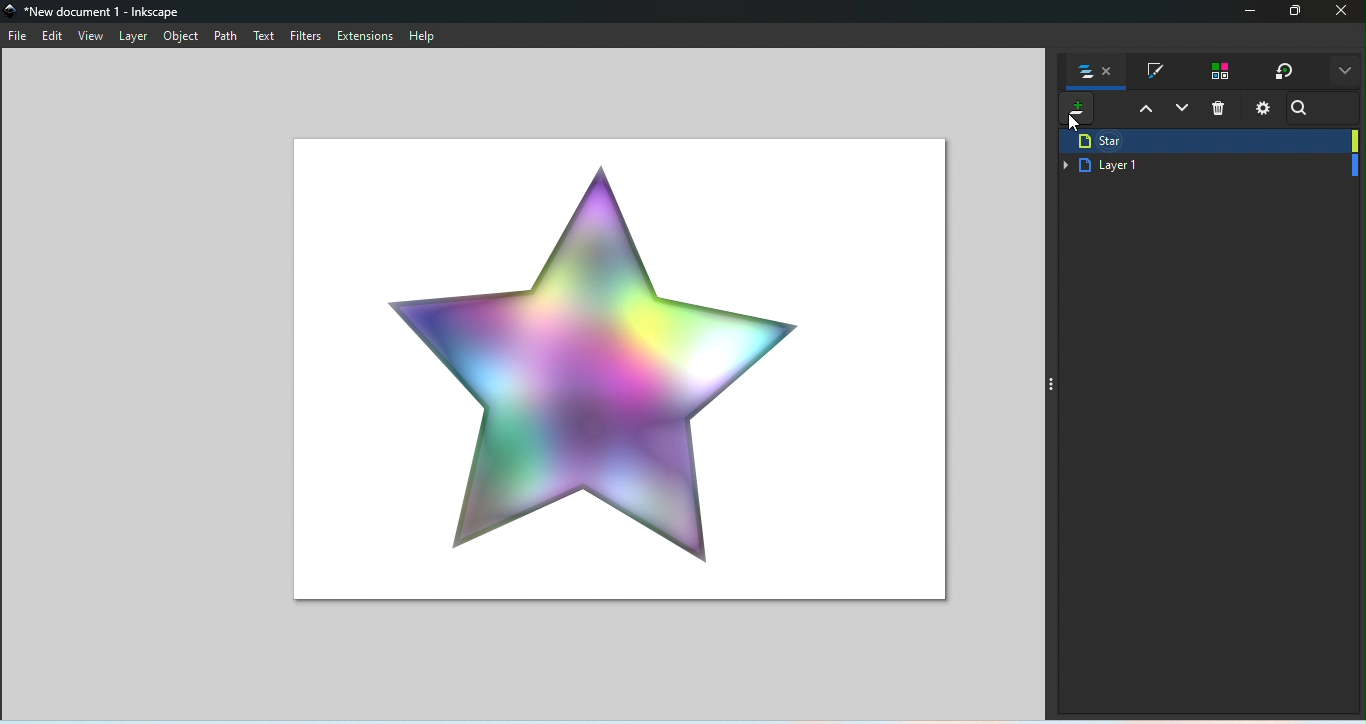 The height and width of the screenshot is (724, 1366). I want to click on cursor, so click(1068, 125).